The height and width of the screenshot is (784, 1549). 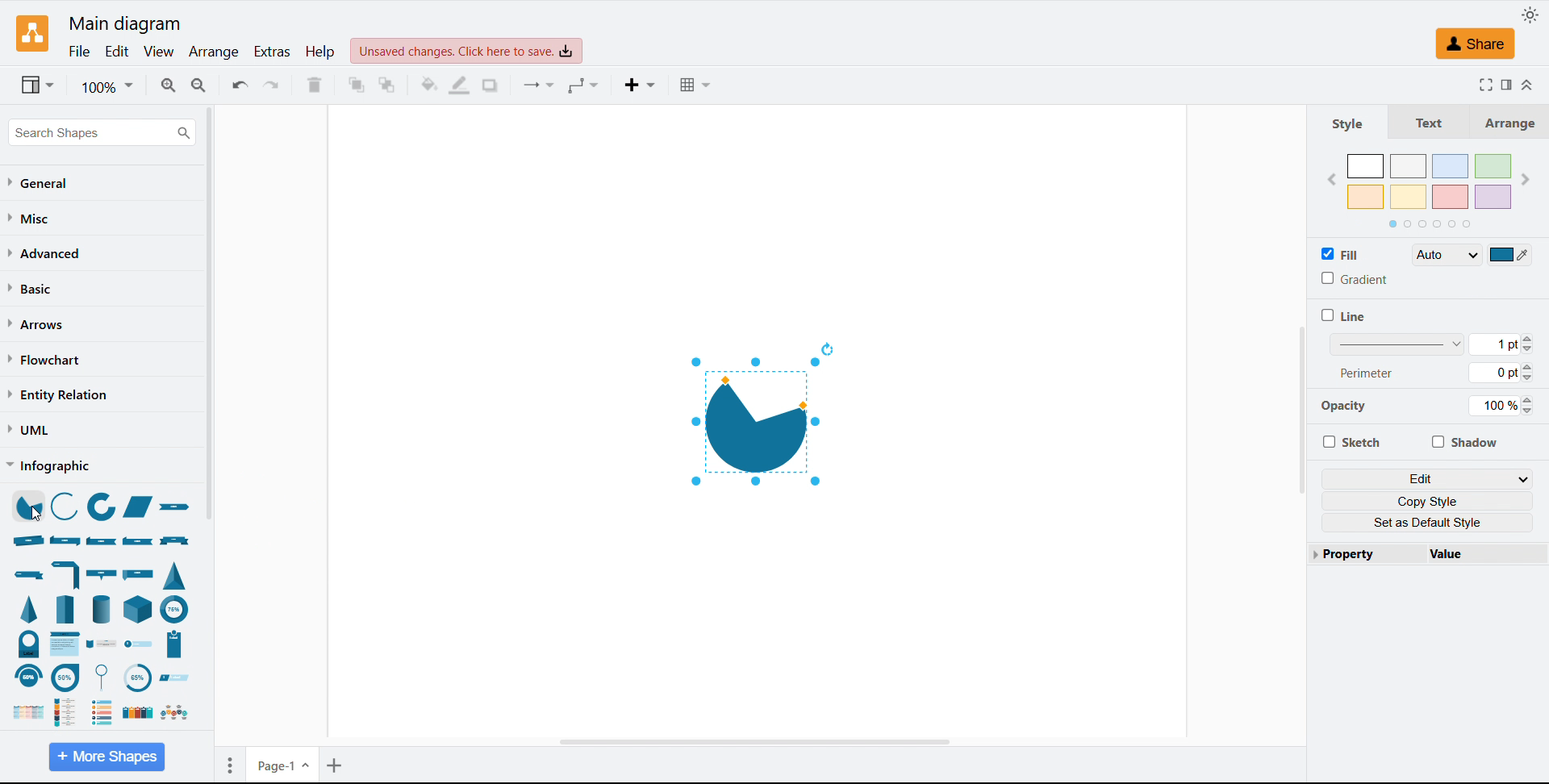 What do you see at coordinates (33, 33) in the screenshot?
I see `Logo ` at bounding box center [33, 33].